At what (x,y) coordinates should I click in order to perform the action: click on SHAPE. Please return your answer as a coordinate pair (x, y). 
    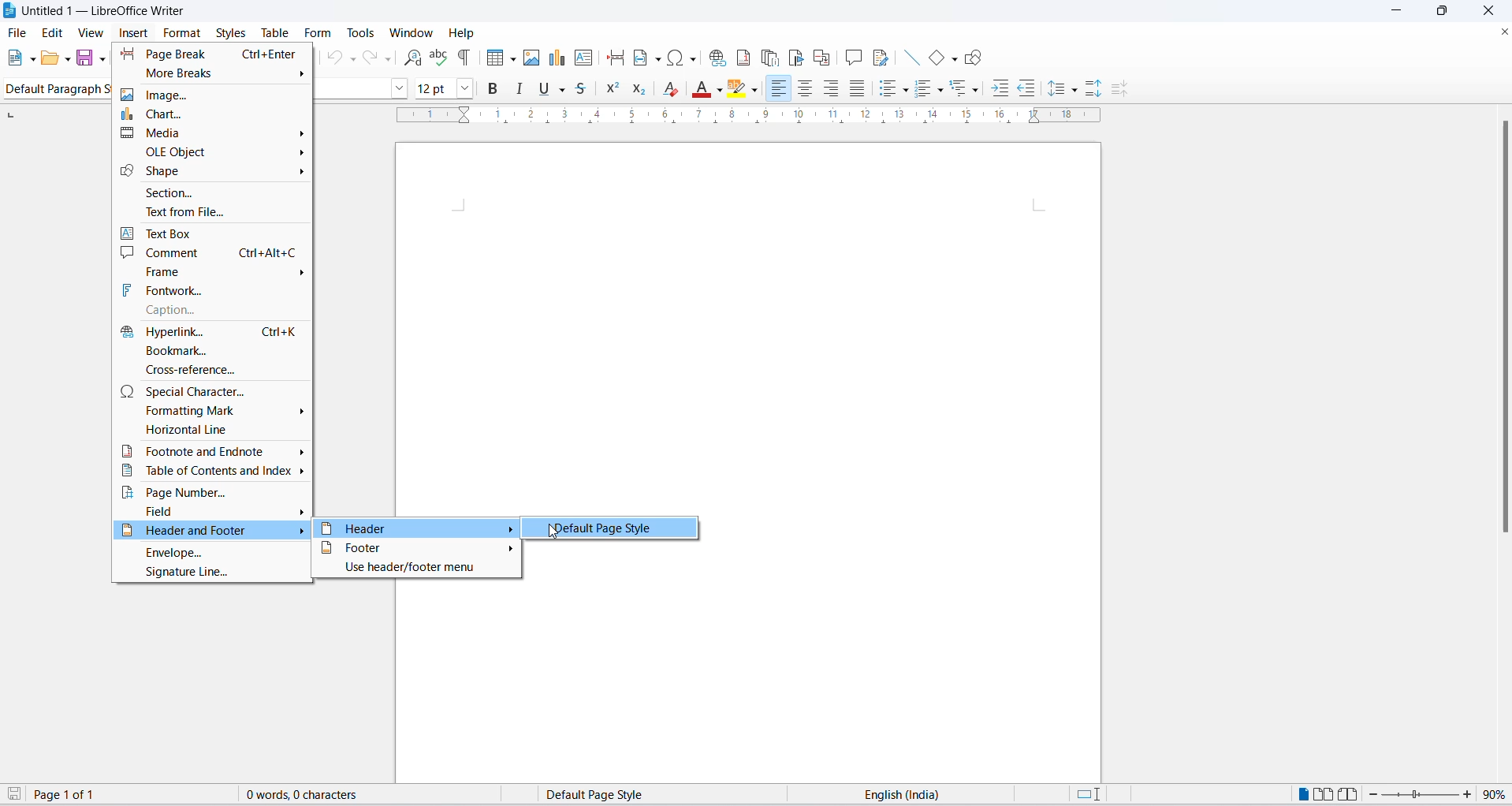
    Looking at the image, I should click on (210, 171).